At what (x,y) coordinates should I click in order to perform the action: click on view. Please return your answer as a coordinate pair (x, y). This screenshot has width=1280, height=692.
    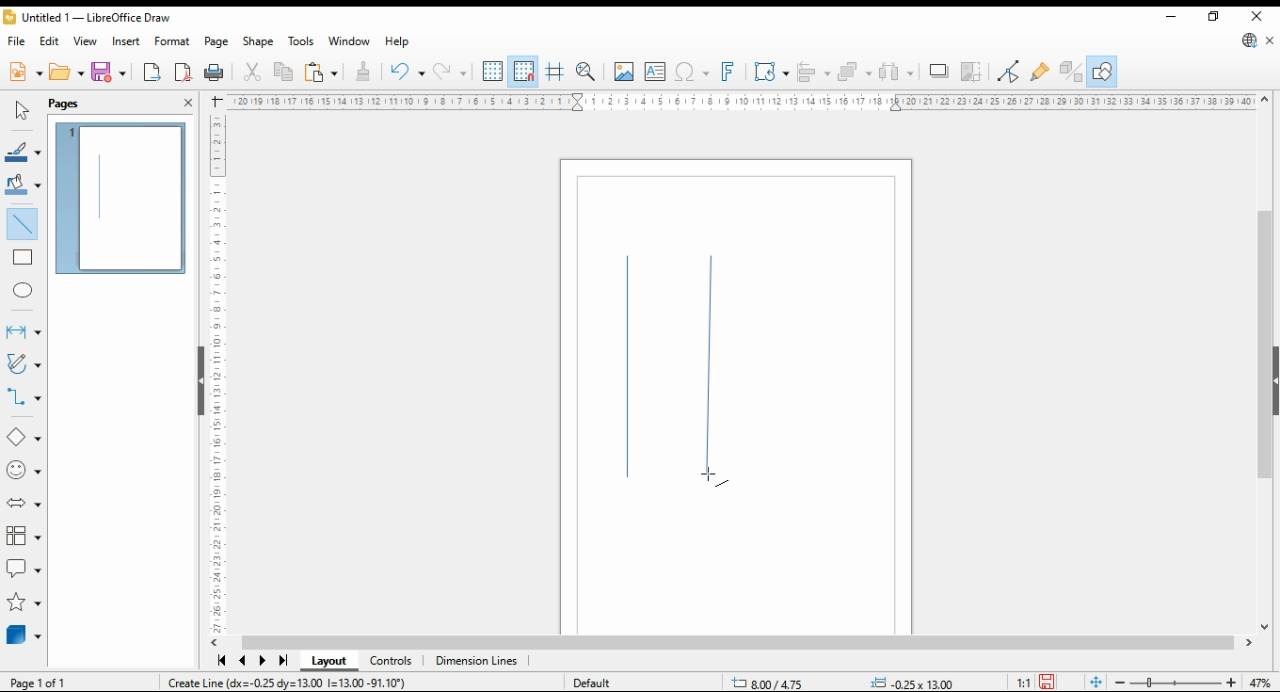
    Looking at the image, I should click on (86, 41).